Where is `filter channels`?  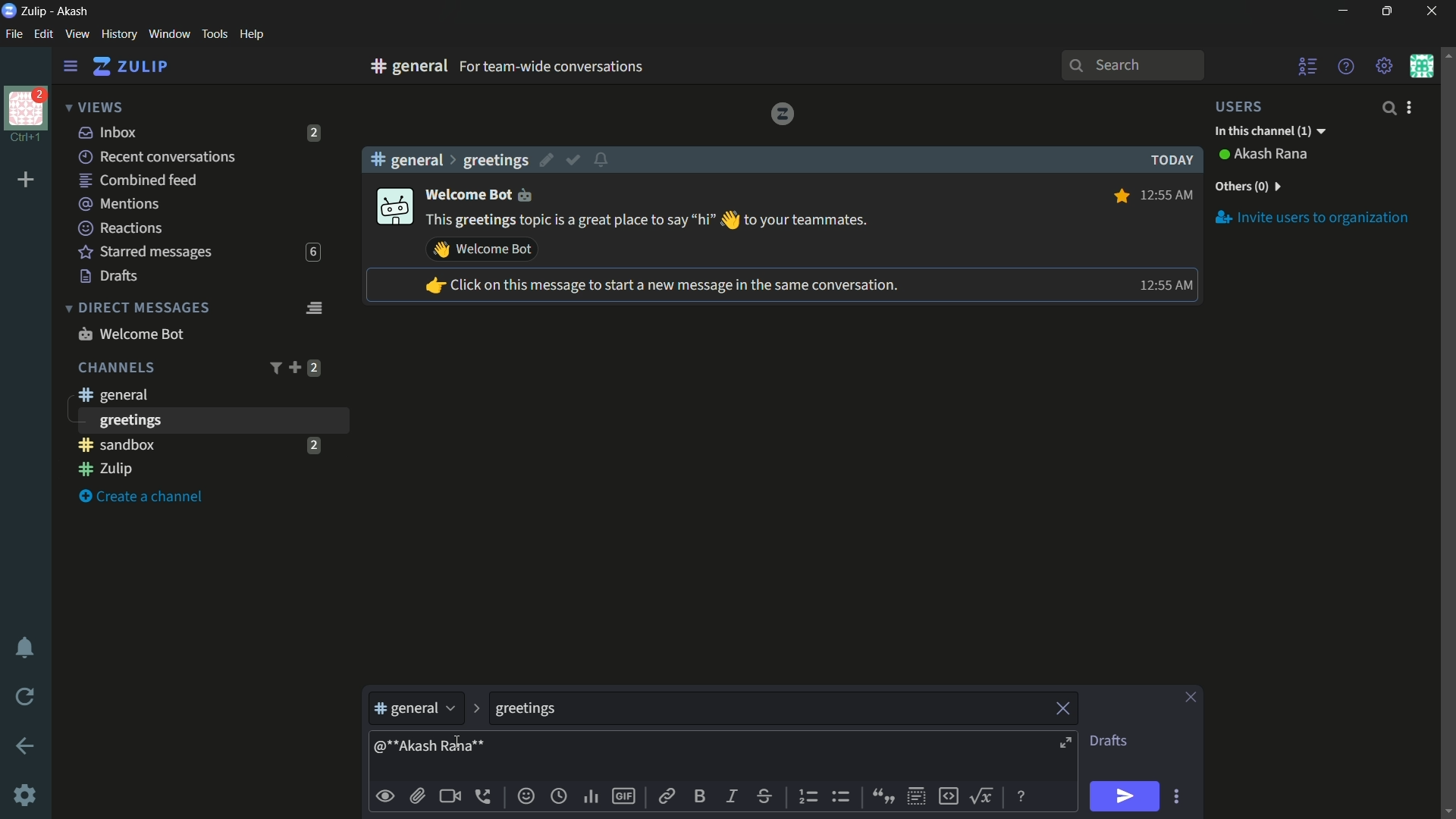 filter channels is located at coordinates (274, 368).